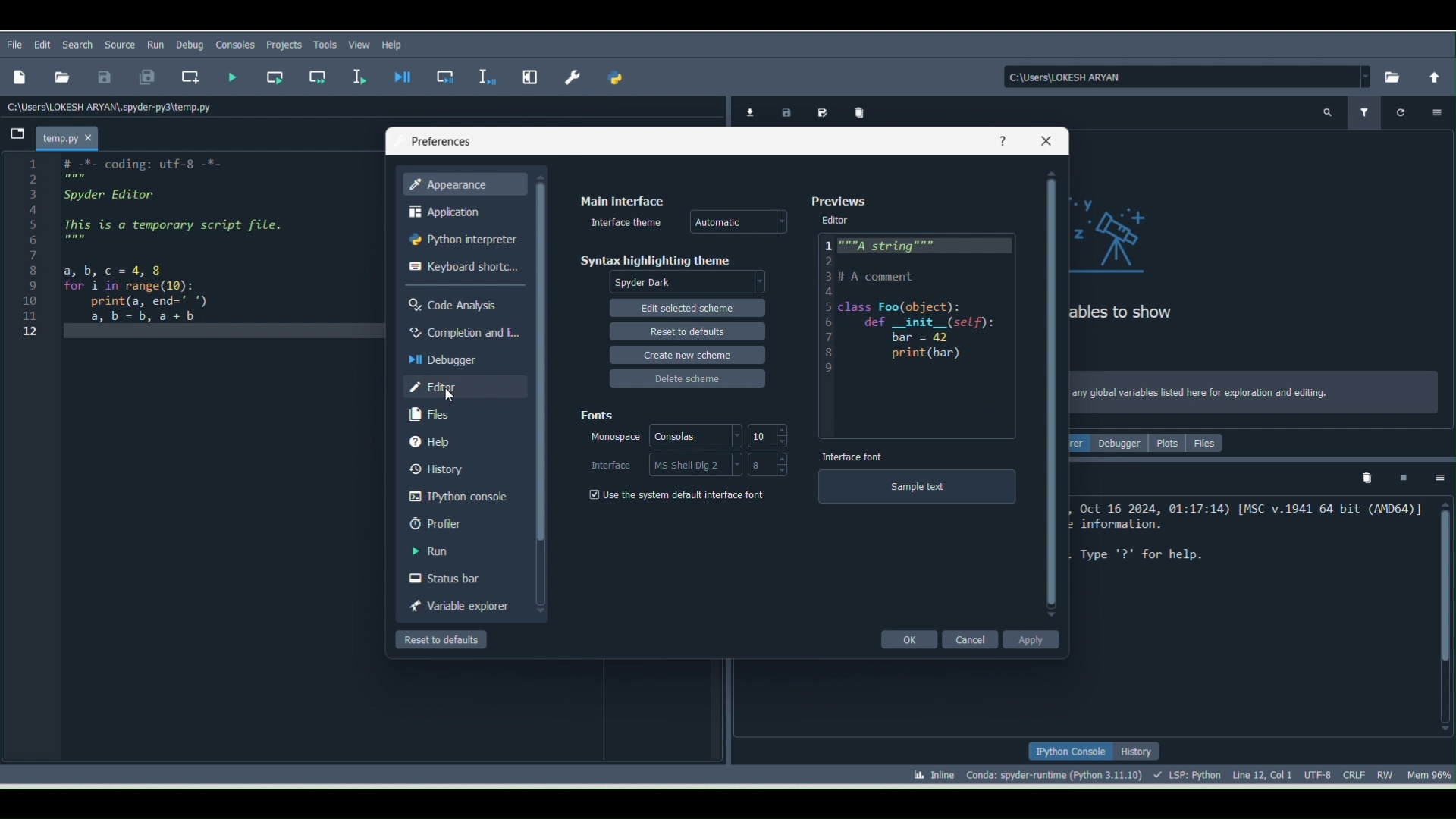 This screenshot has width=1456, height=819. What do you see at coordinates (620, 200) in the screenshot?
I see `Main Interface` at bounding box center [620, 200].